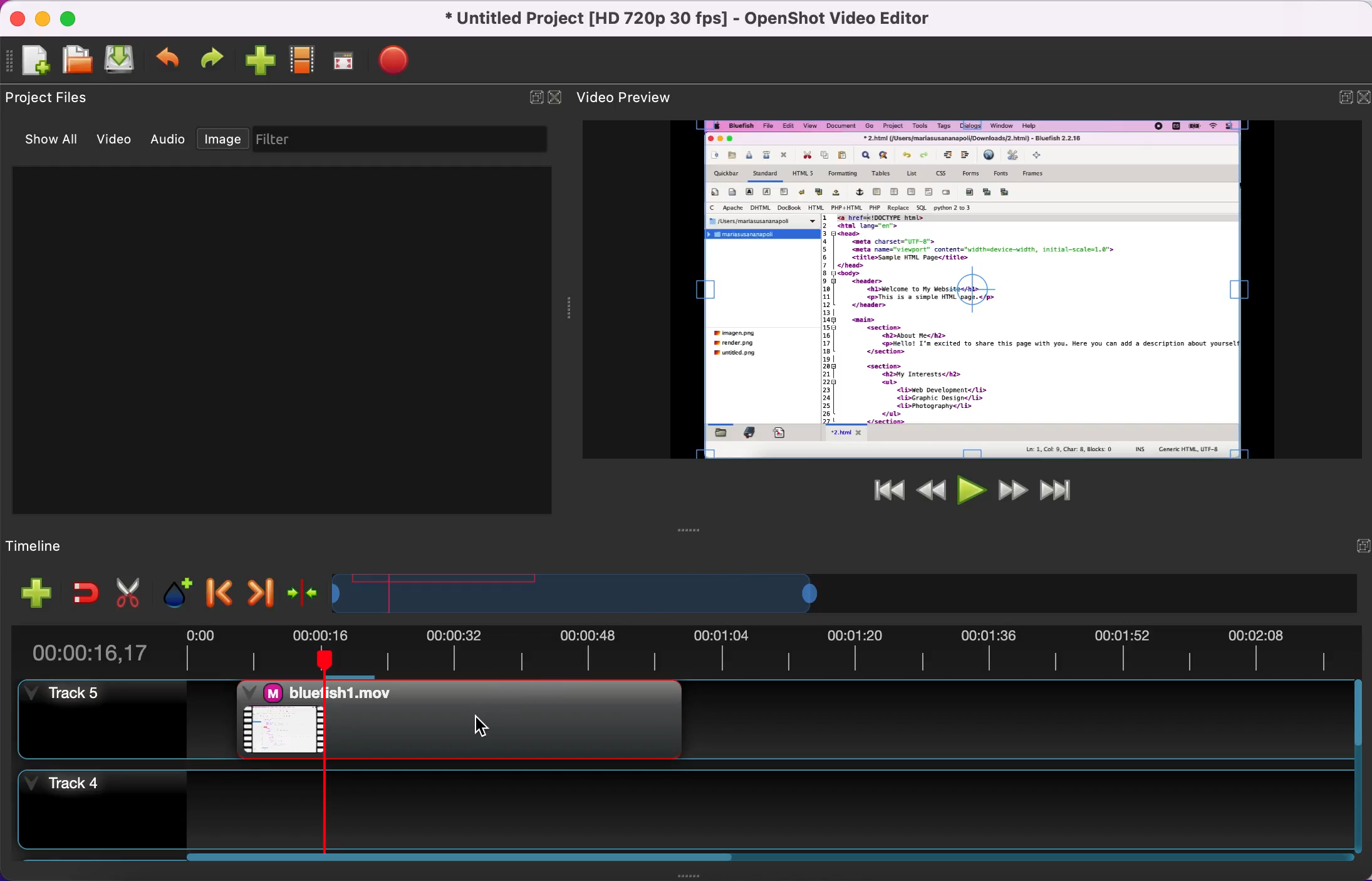 This screenshot has width=1372, height=881. Describe the element at coordinates (728, 590) in the screenshot. I see `timeline` at that location.